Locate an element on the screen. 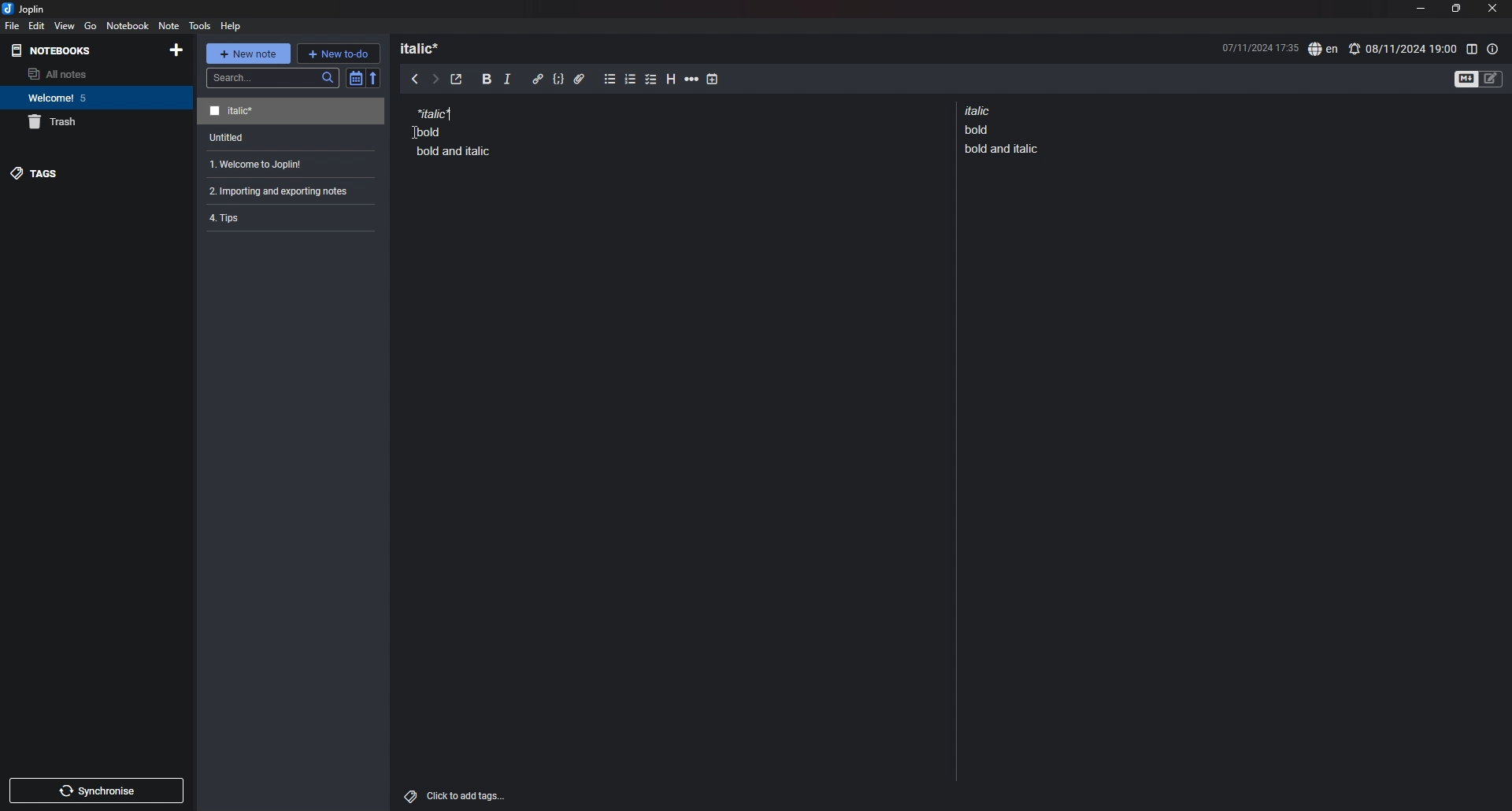  horizontal rule is located at coordinates (691, 81).